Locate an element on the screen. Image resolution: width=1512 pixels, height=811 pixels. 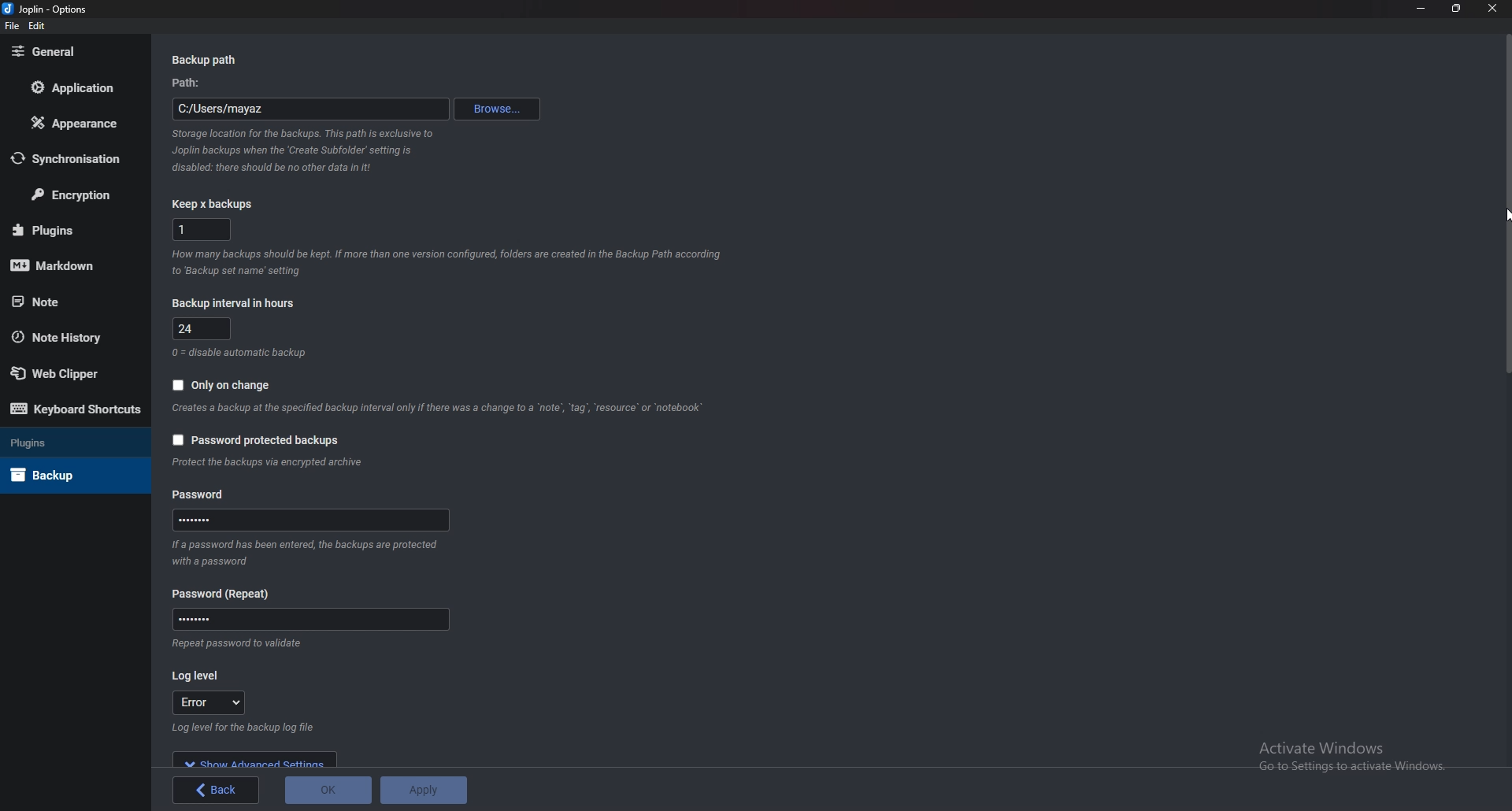
Apply is located at coordinates (422, 788).